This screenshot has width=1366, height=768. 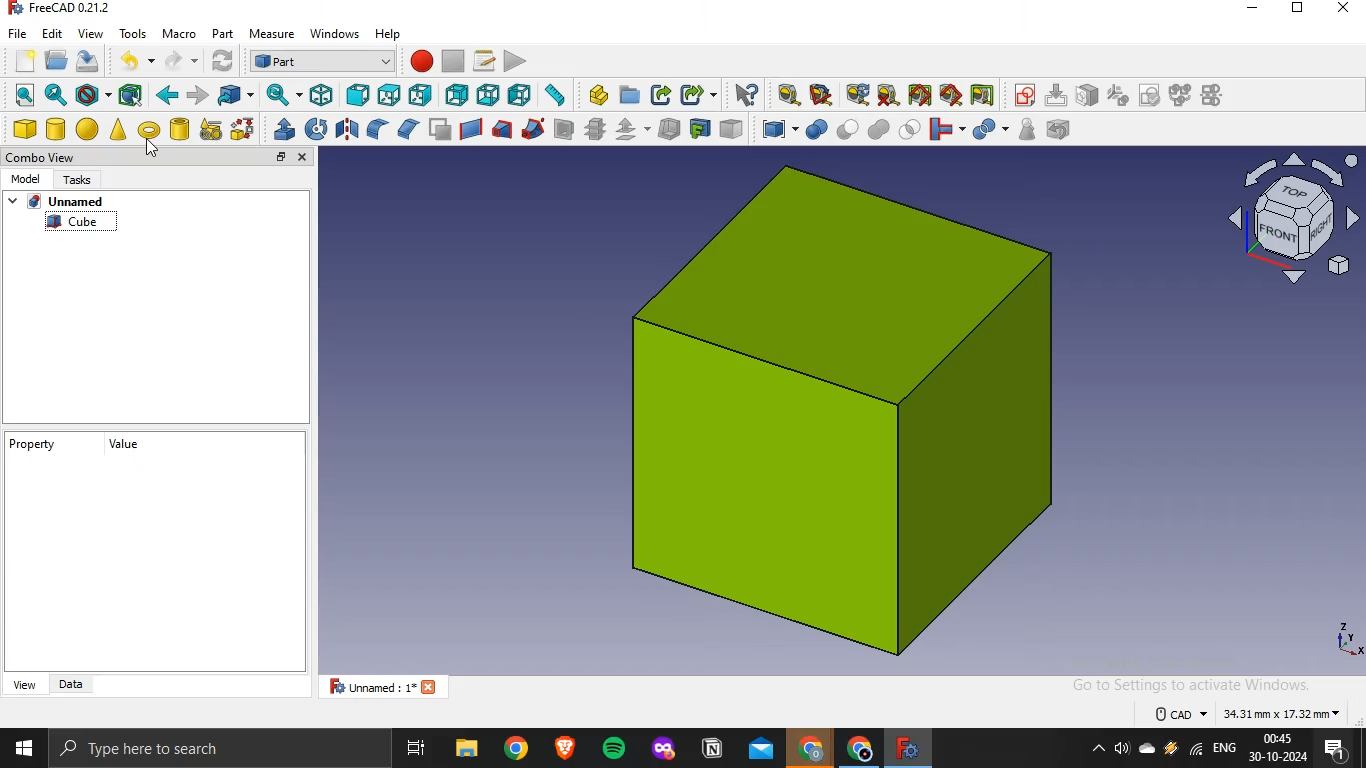 What do you see at coordinates (26, 686) in the screenshot?
I see `view` at bounding box center [26, 686].